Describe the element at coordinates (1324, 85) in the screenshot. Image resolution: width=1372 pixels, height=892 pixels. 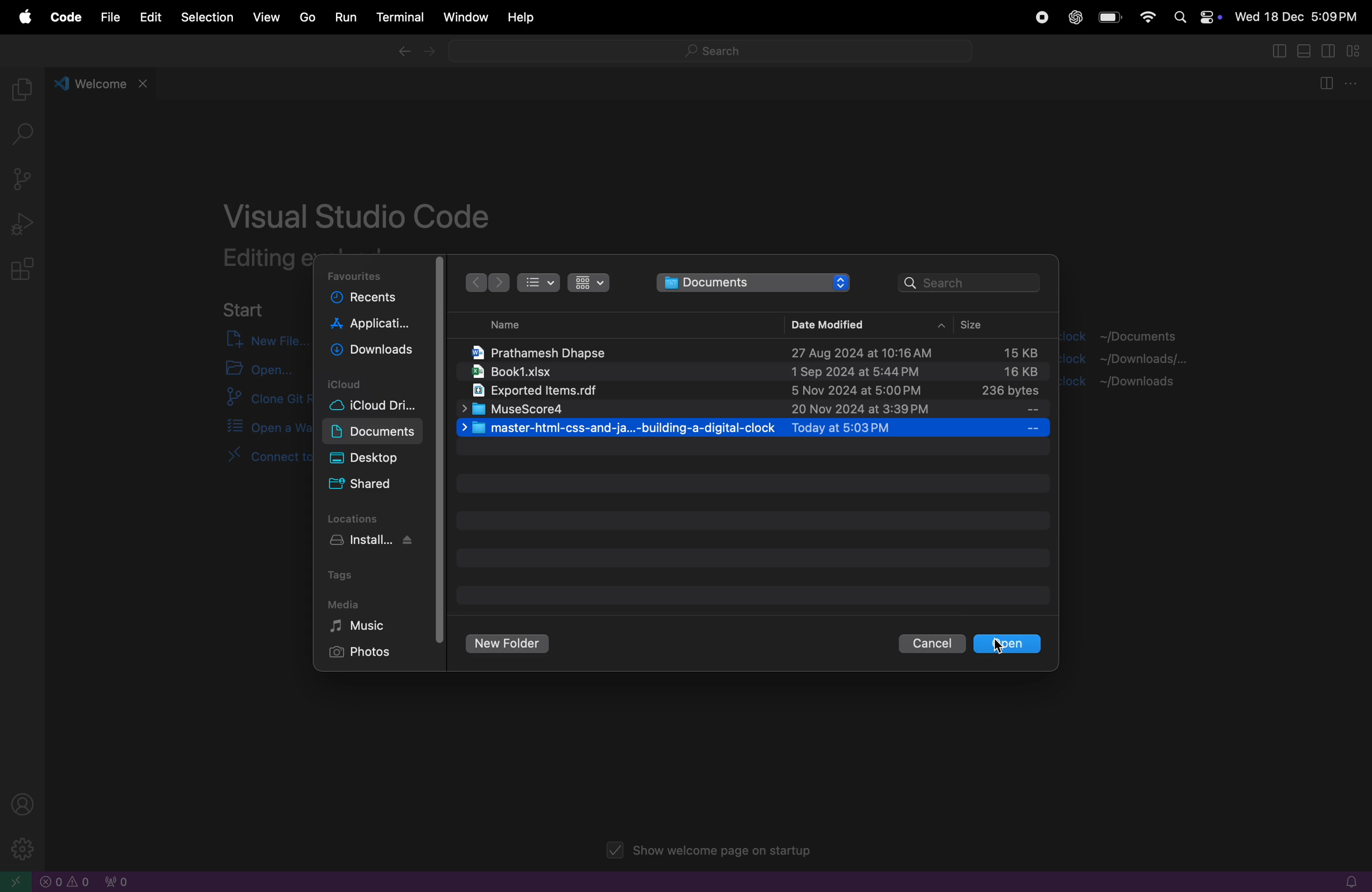
I see `split editor` at that location.